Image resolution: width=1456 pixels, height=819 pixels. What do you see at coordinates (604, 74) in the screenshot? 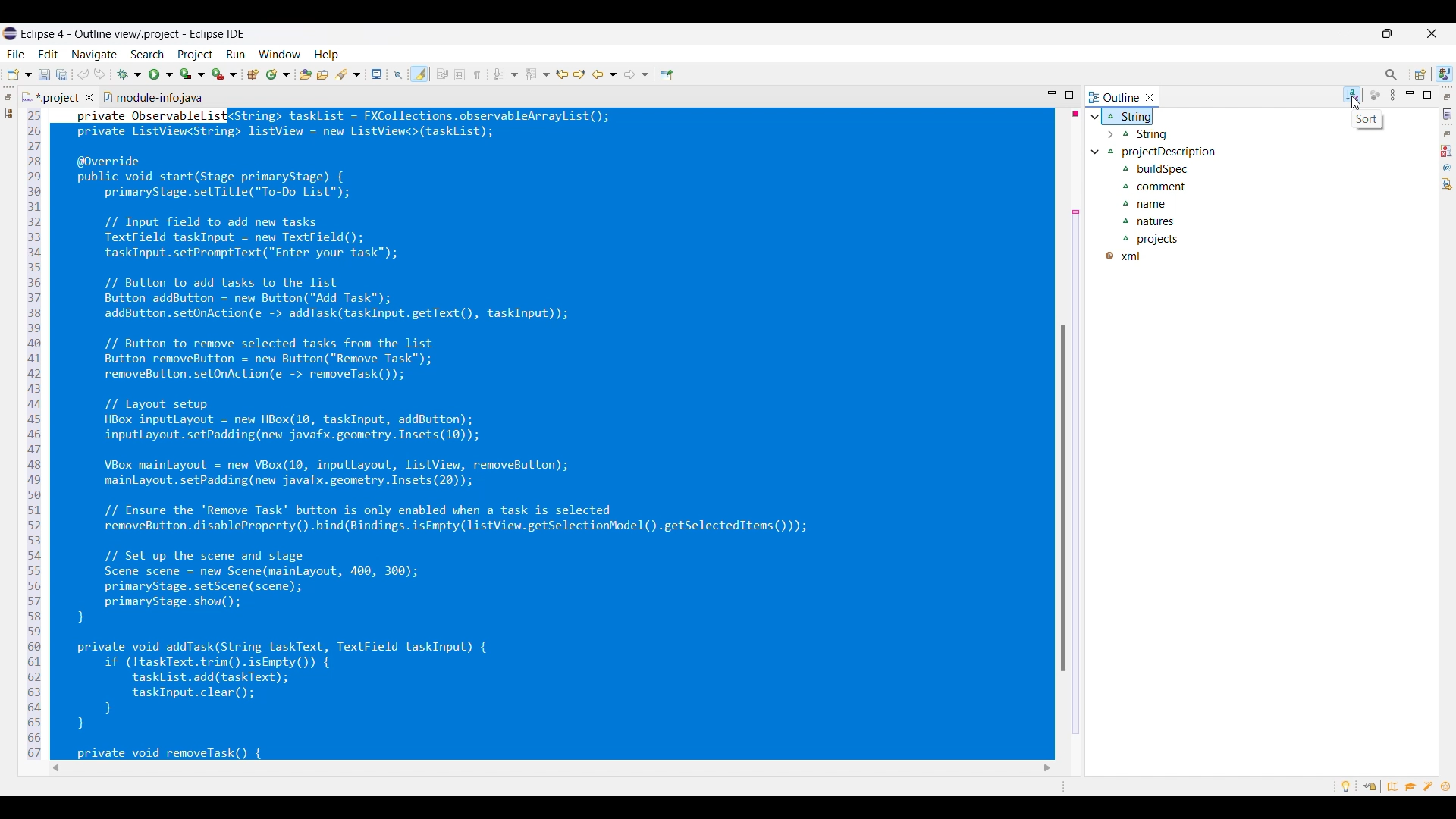
I see `Back to project options` at bounding box center [604, 74].